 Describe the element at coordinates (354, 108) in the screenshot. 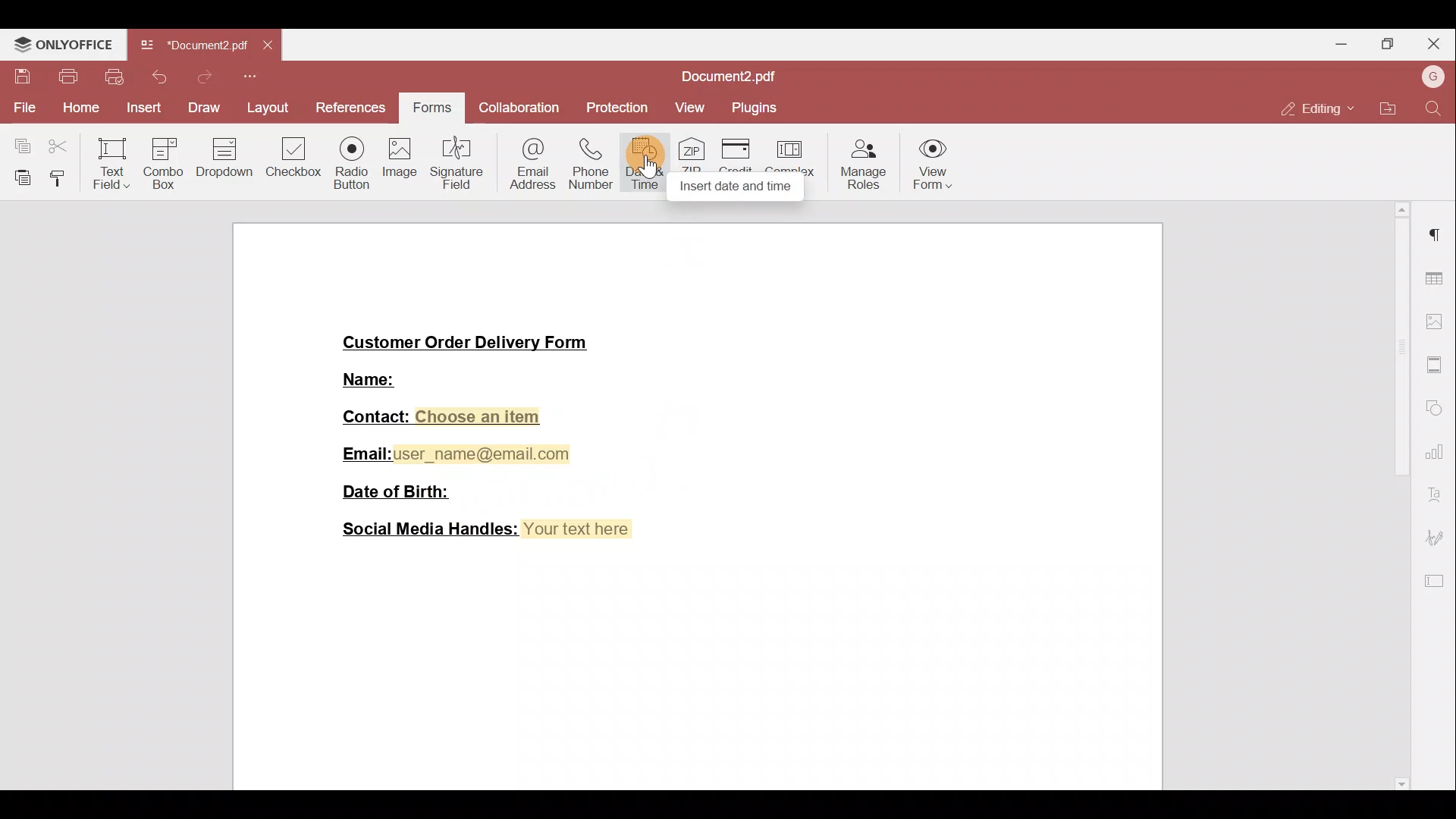

I see `References` at that location.